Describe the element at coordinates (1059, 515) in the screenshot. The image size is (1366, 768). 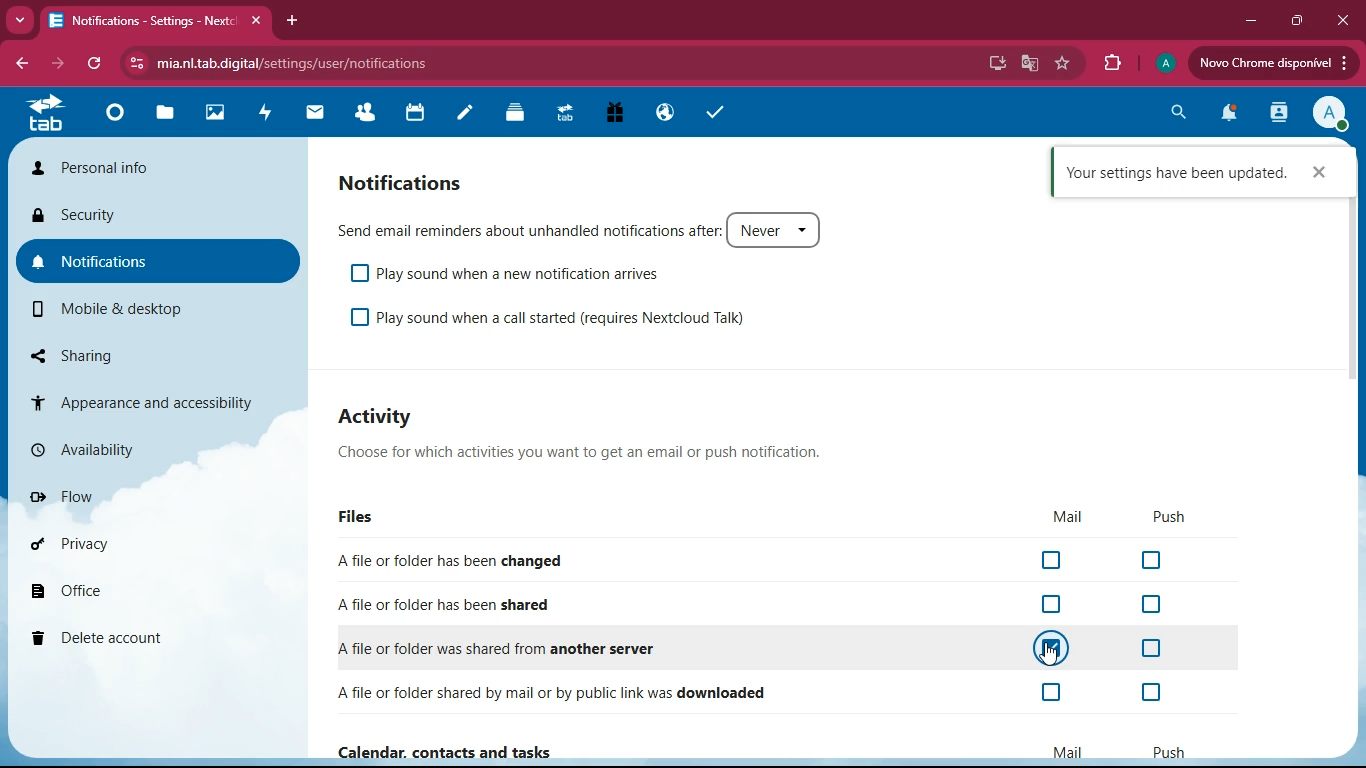
I see `mail` at that location.